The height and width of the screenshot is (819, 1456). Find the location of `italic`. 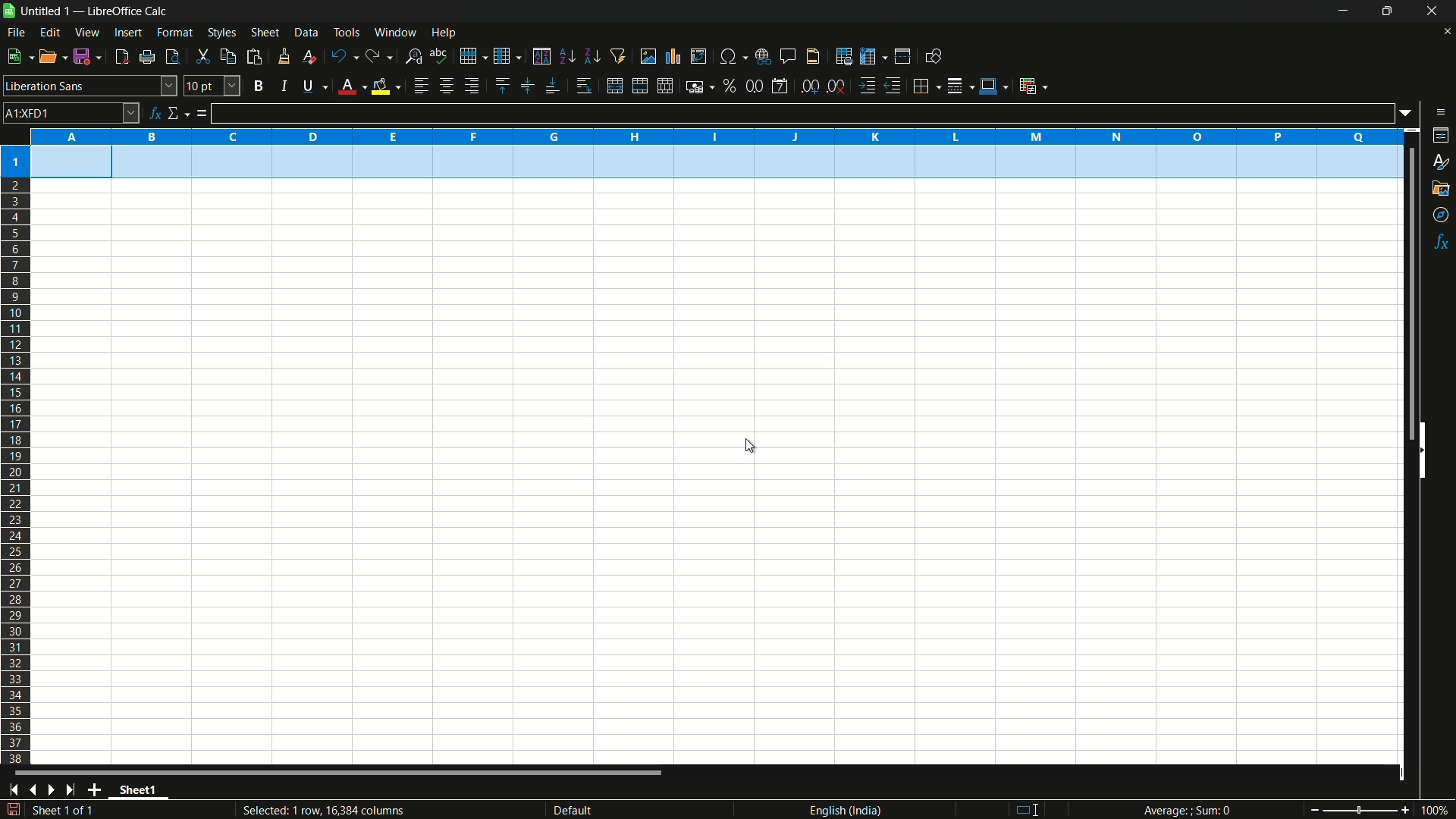

italic is located at coordinates (283, 86).